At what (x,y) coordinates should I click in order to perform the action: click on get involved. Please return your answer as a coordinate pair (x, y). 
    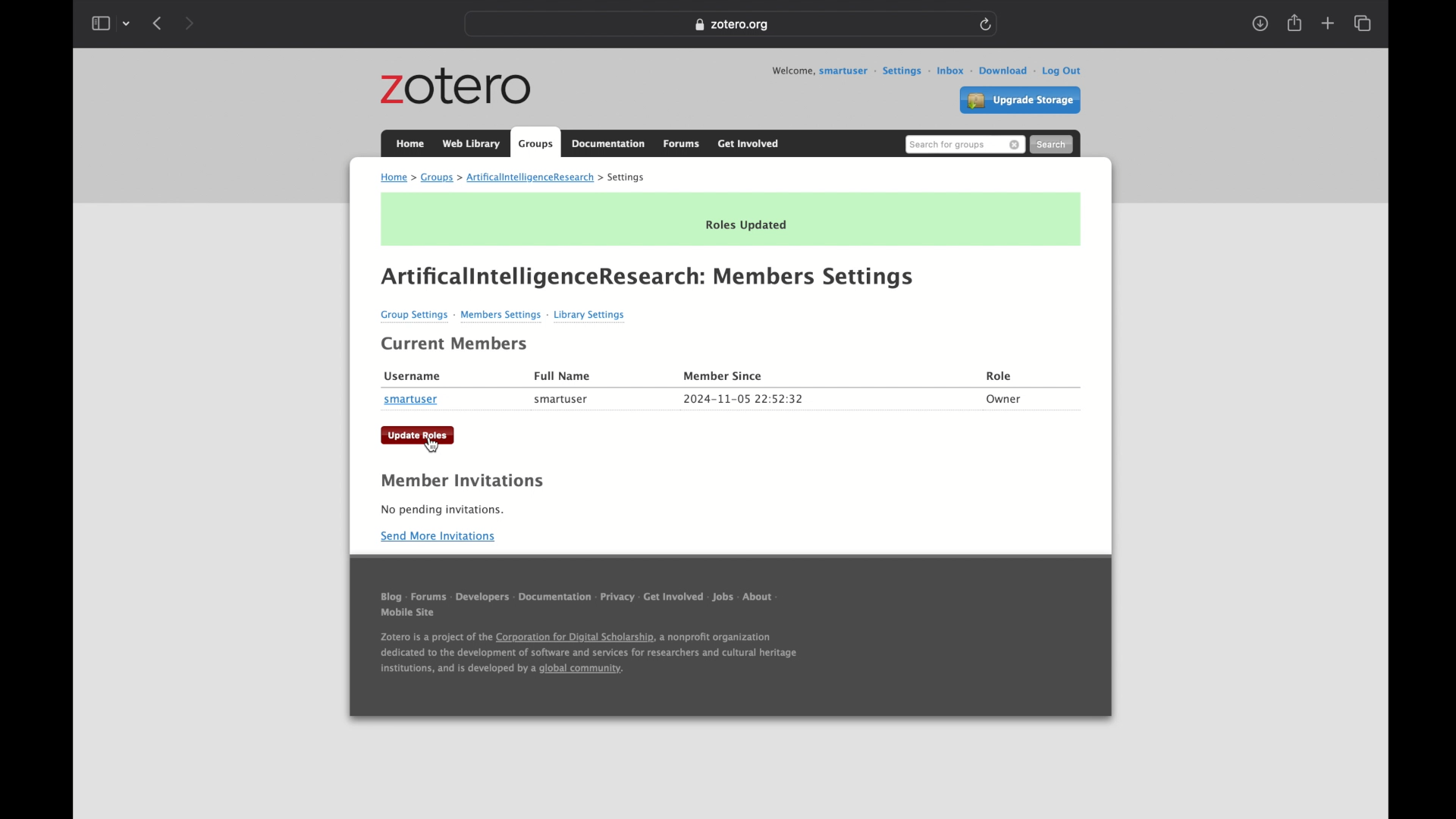
    Looking at the image, I should click on (673, 600).